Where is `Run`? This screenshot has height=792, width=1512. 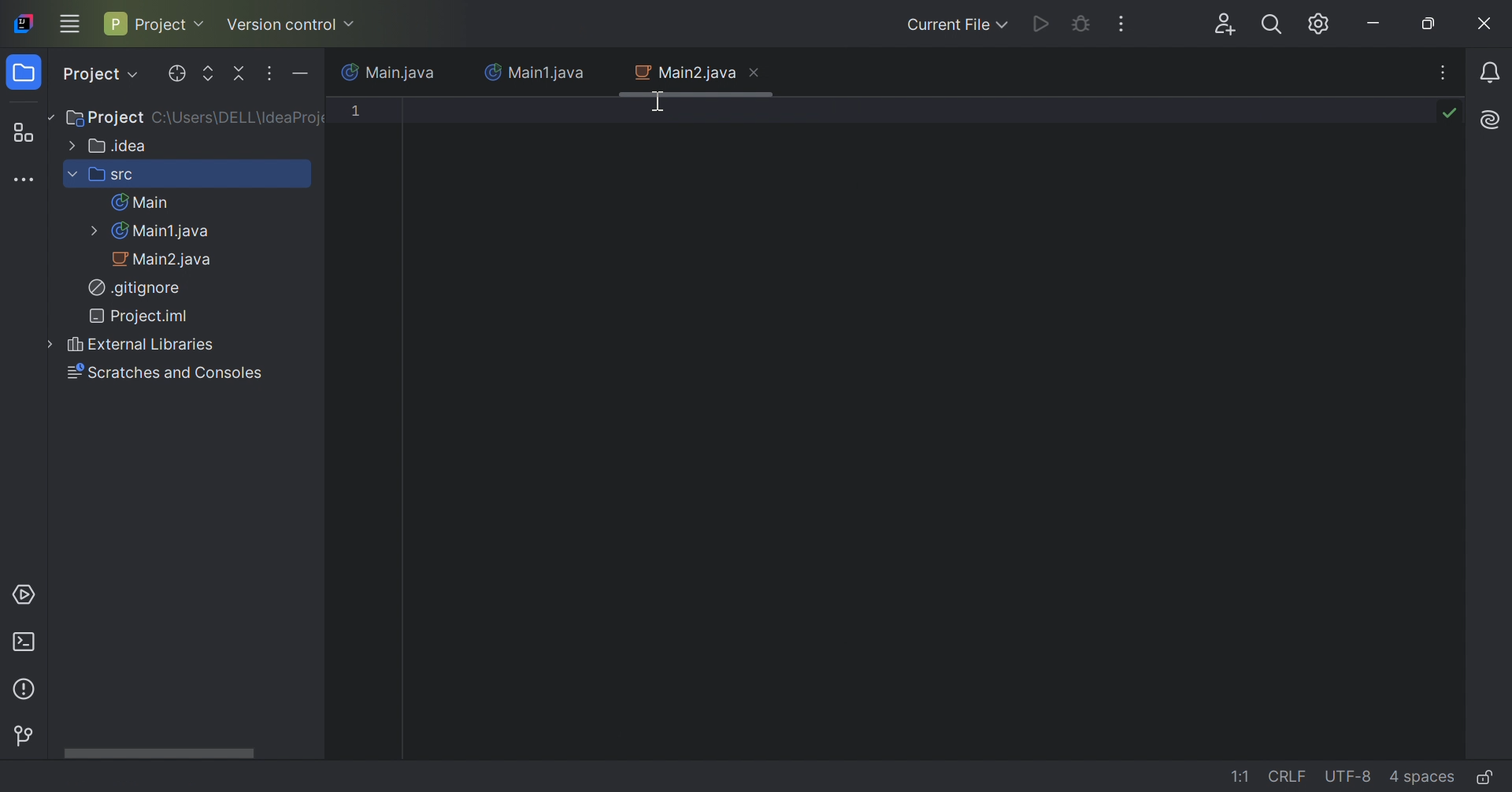
Run is located at coordinates (1039, 26).